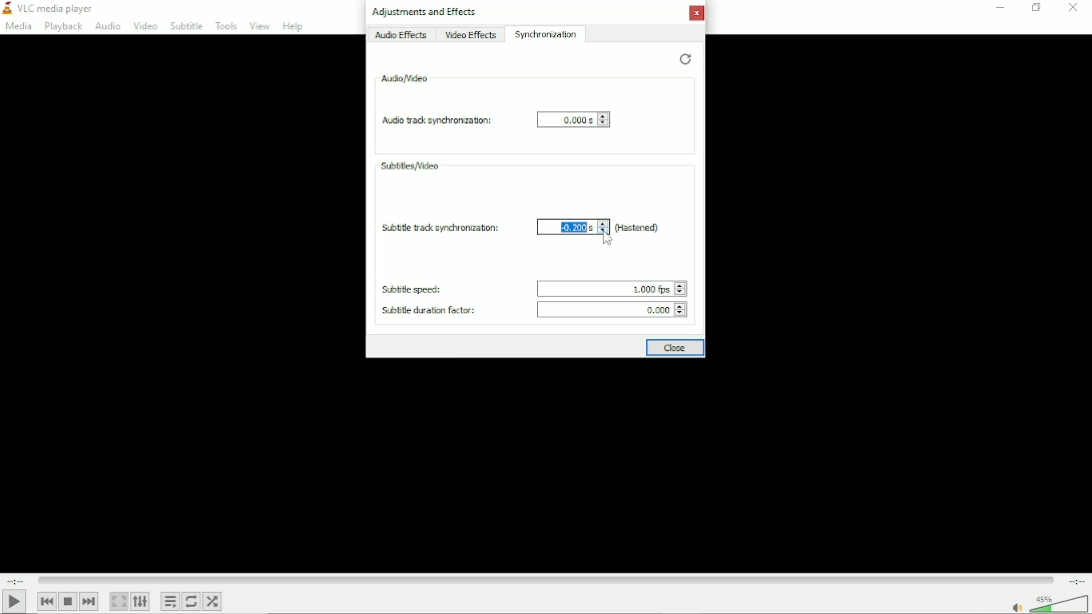 The height and width of the screenshot is (614, 1092). I want to click on Subtitle duration factor, so click(422, 312).